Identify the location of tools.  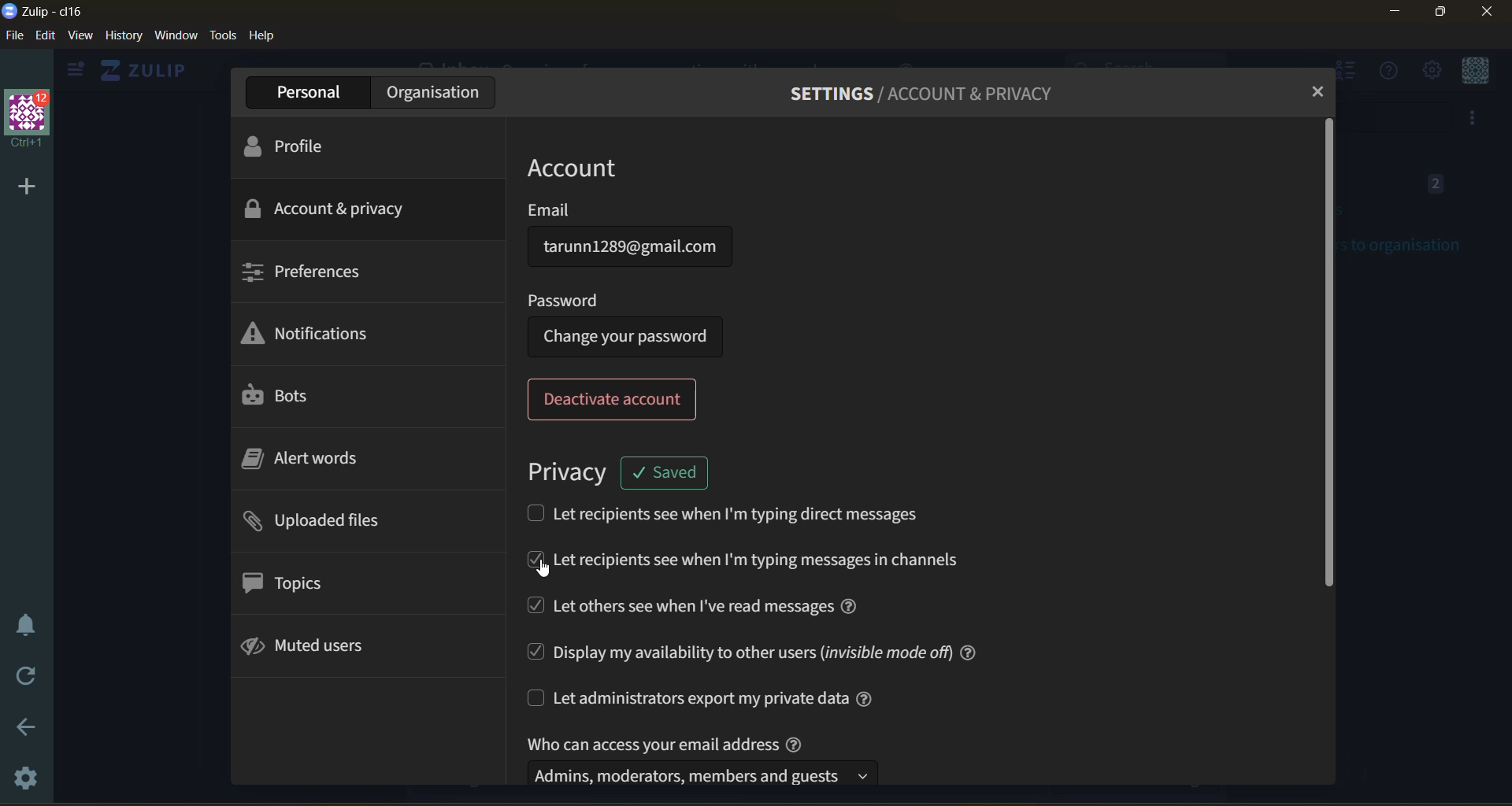
(223, 35).